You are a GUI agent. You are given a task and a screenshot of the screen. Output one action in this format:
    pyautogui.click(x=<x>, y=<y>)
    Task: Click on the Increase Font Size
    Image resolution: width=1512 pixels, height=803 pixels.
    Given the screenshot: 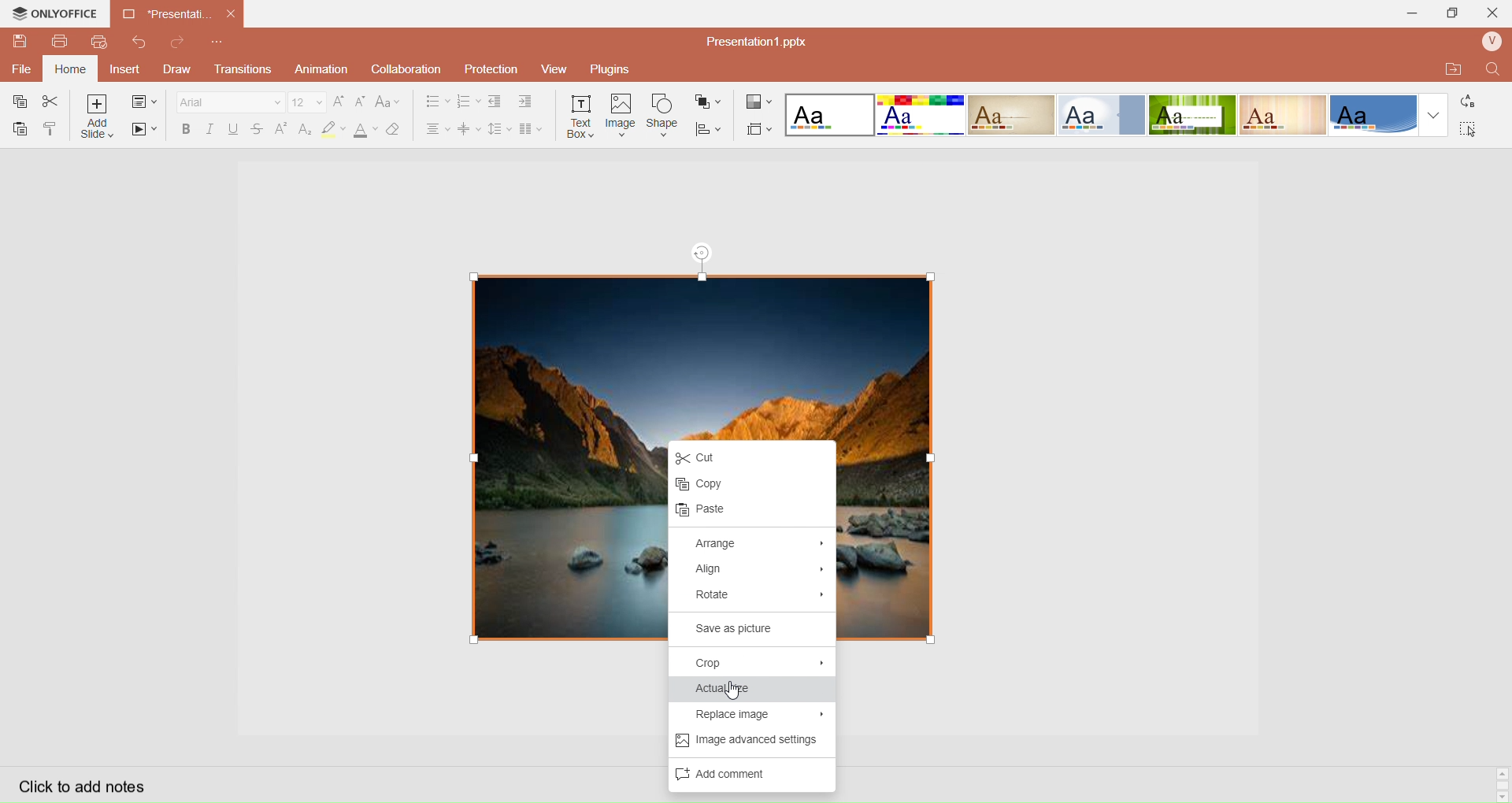 What is the action you would take?
    pyautogui.click(x=338, y=100)
    